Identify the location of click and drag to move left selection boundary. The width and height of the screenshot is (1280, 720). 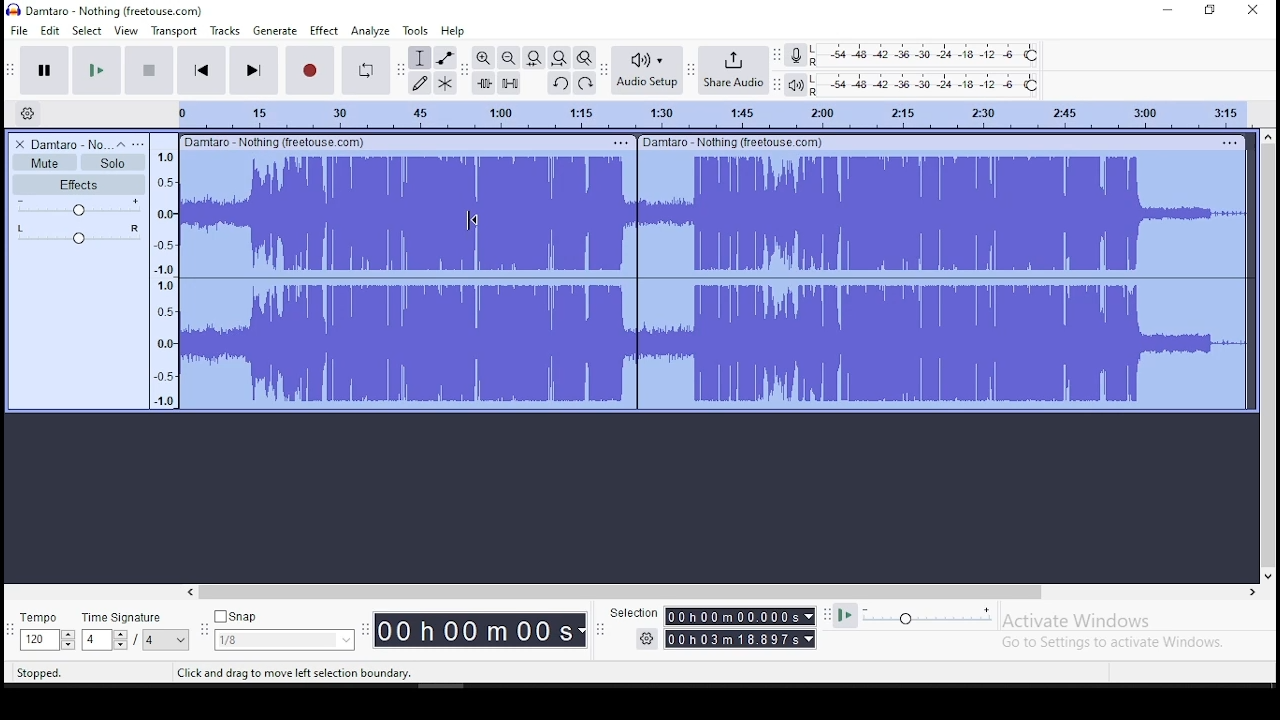
(295, 673).